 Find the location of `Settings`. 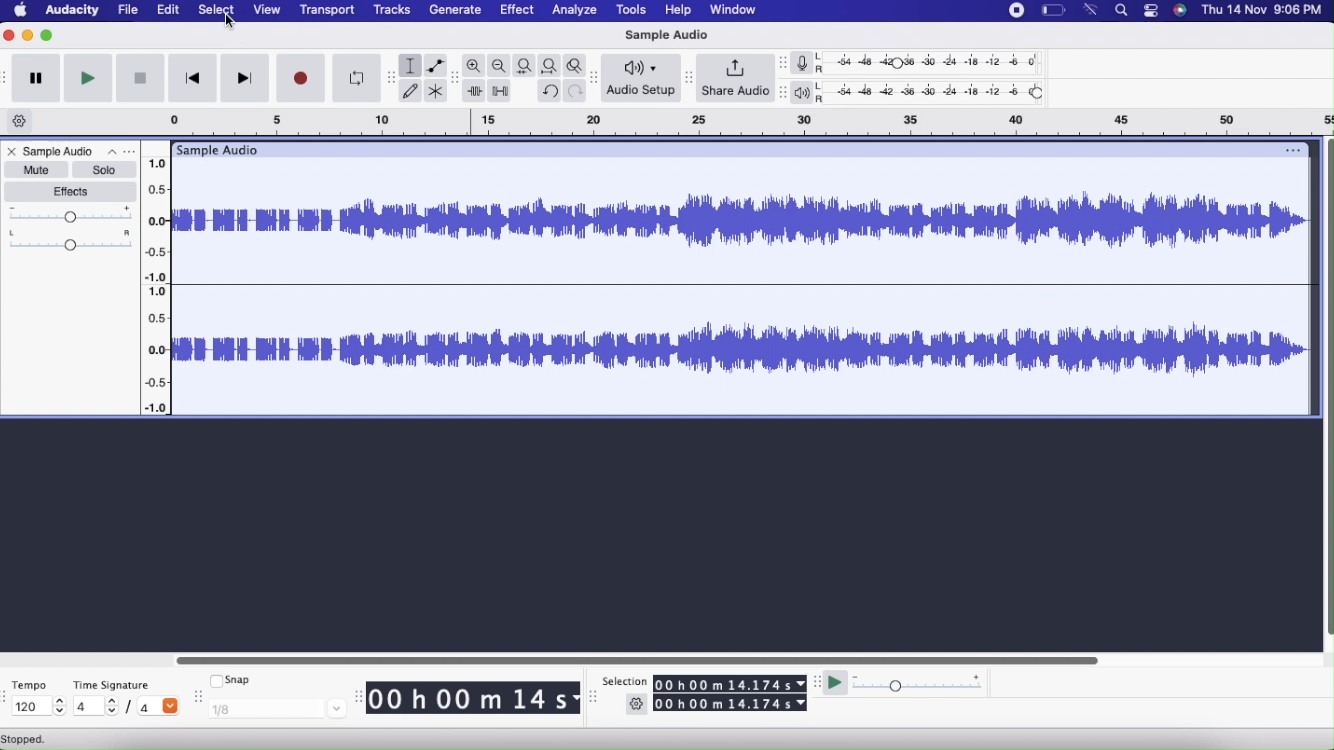

Settings is located at coordinates (637, 706).